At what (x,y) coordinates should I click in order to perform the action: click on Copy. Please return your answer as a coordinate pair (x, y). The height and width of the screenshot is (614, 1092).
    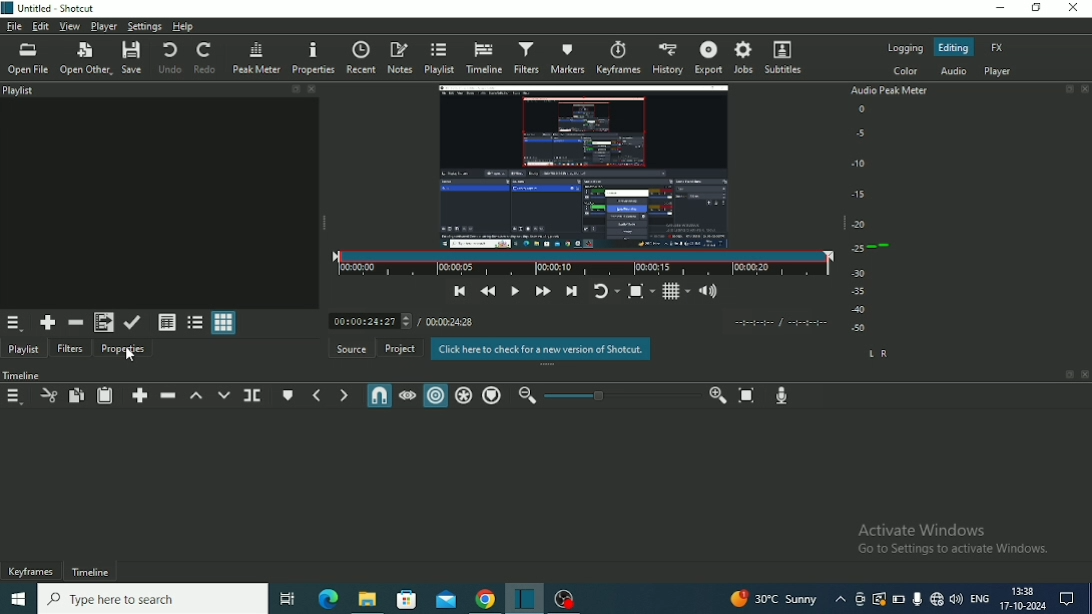
    Looking at the image, I should click on (75, 395).